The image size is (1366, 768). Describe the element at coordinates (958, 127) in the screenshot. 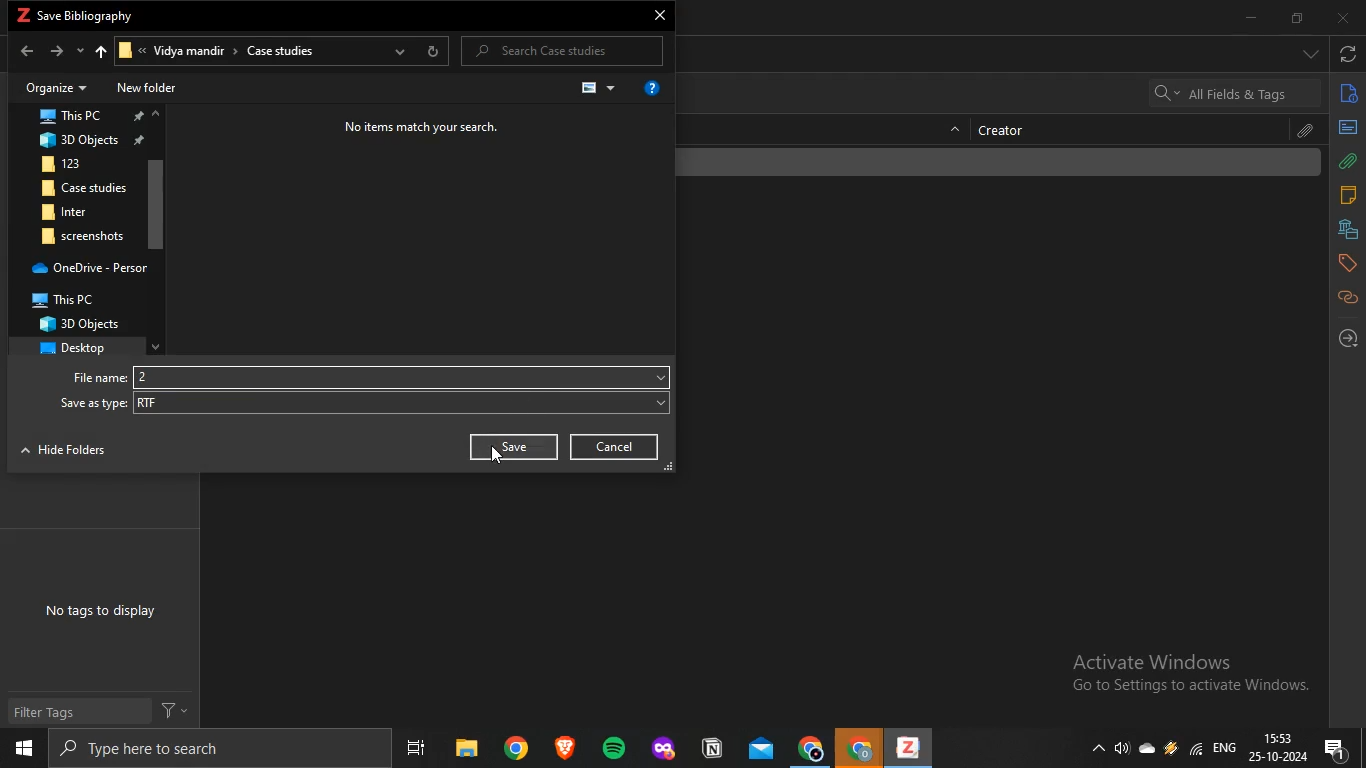

I see `hide` at that location.